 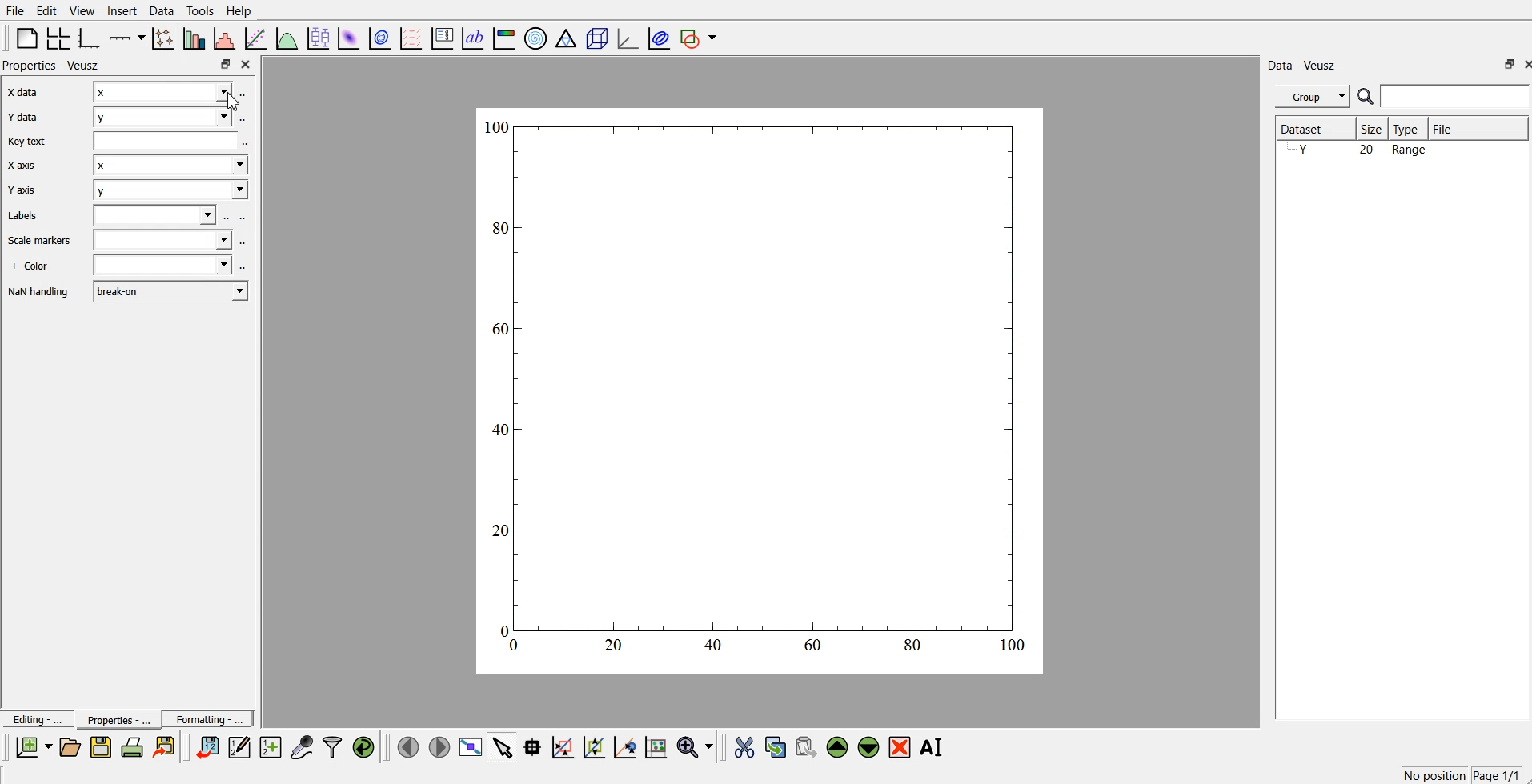 What do you see at coordinates (657, 746) in the screenshot?
I see `click to reset graph axes` at bounding box center [657, 746].